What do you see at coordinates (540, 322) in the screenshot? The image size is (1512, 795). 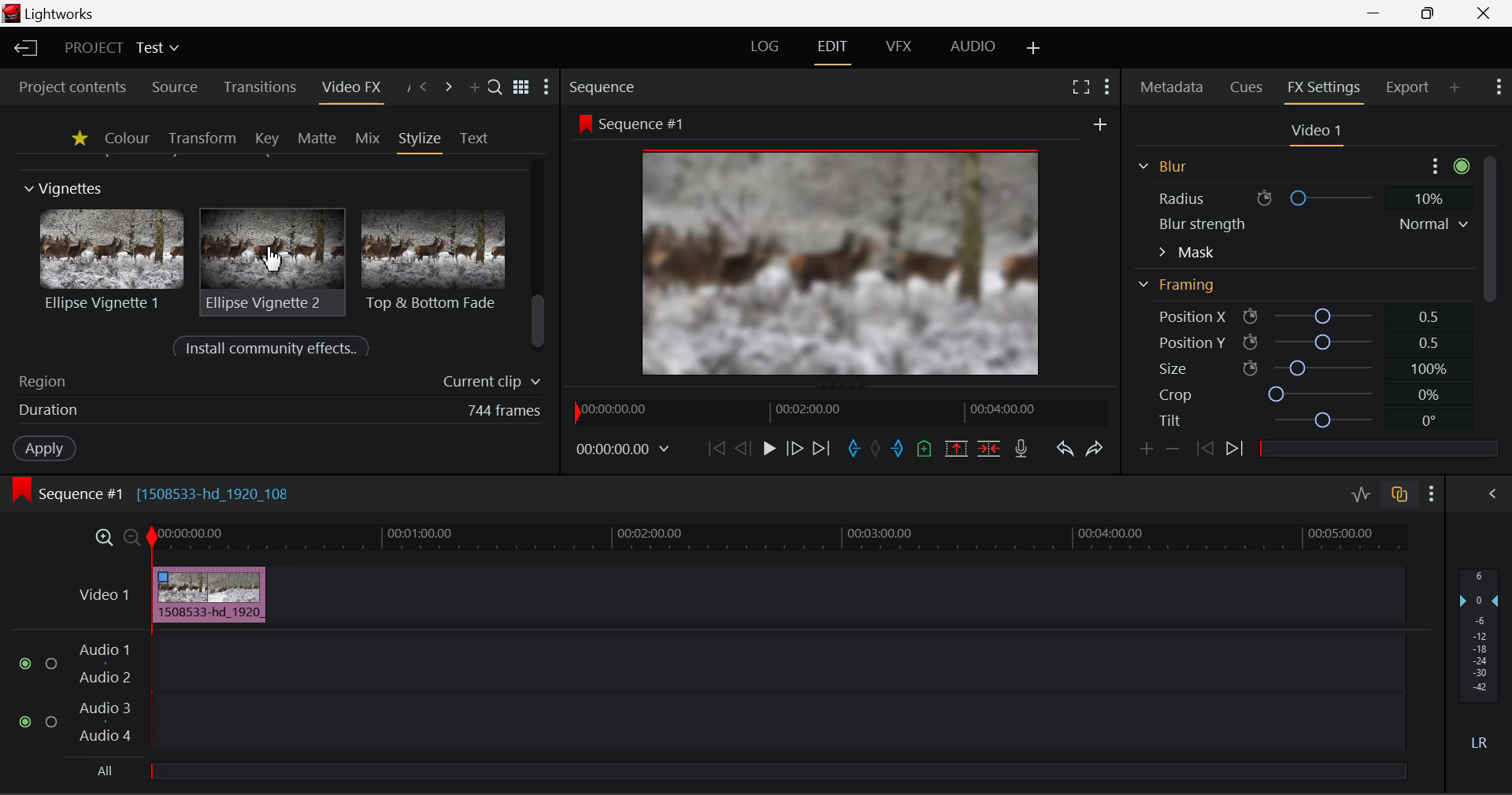 I see `scrollbar` at bounding box center [540, 322].